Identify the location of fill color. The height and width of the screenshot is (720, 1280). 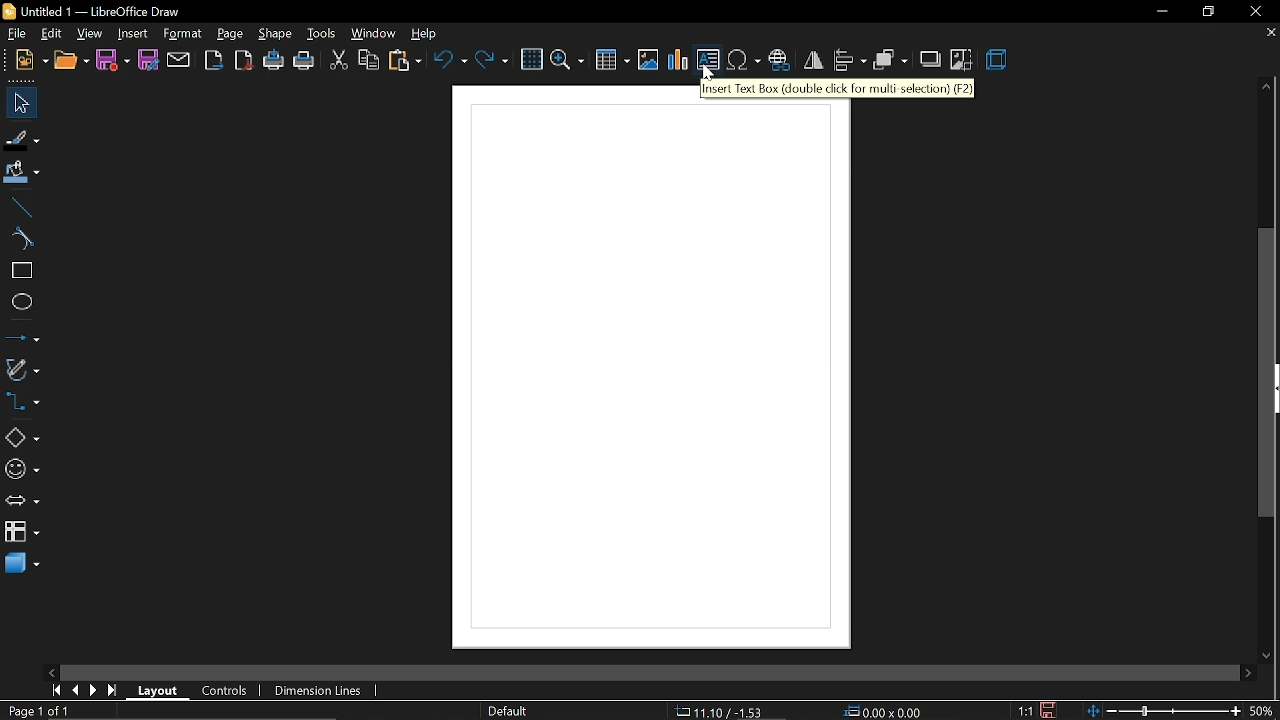
(20, 174).